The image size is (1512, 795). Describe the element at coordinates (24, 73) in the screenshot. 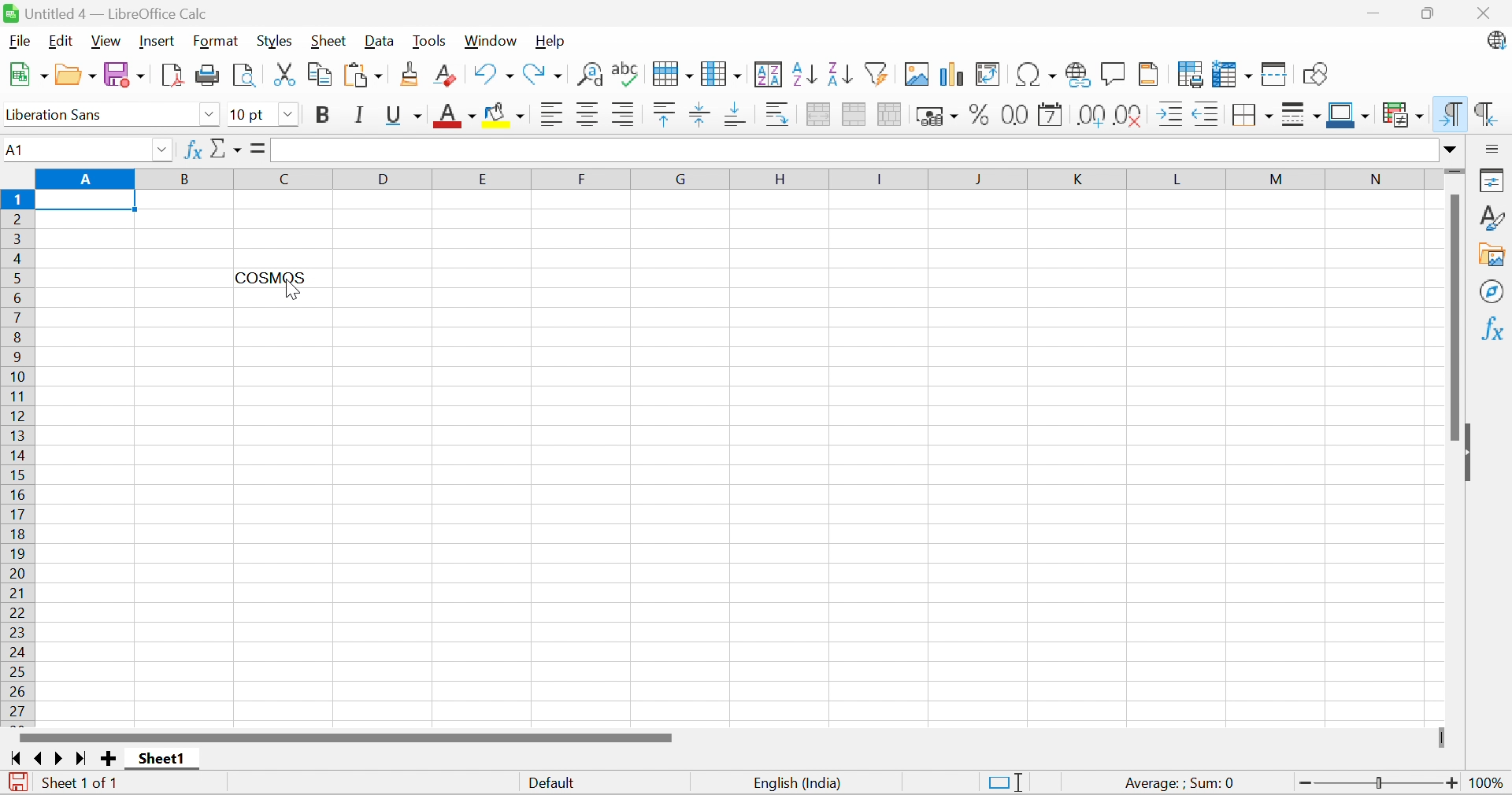

I see `New` at that location.